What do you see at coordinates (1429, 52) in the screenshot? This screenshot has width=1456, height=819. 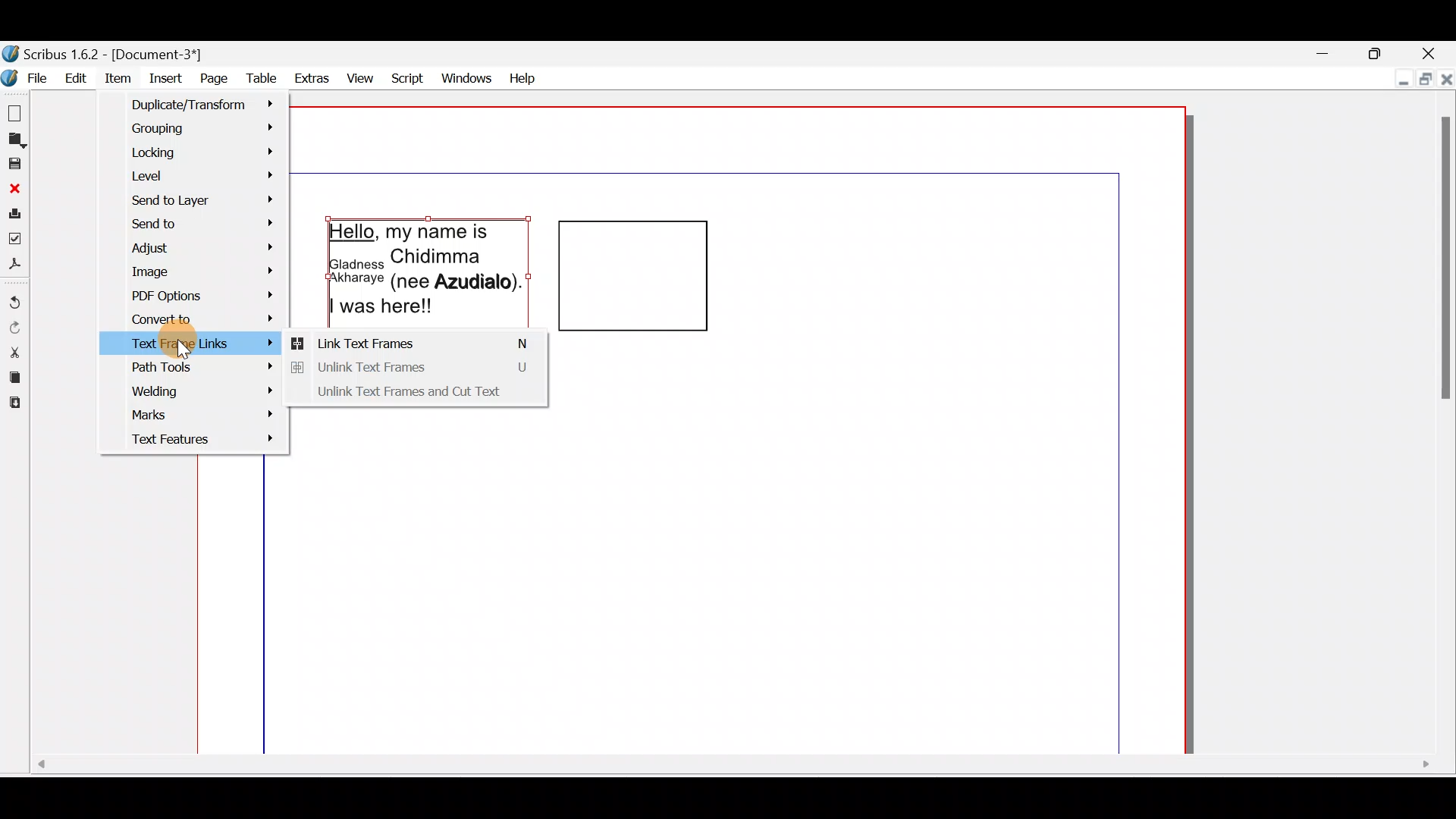 I see `Close` at bounding box center [1429, 52].